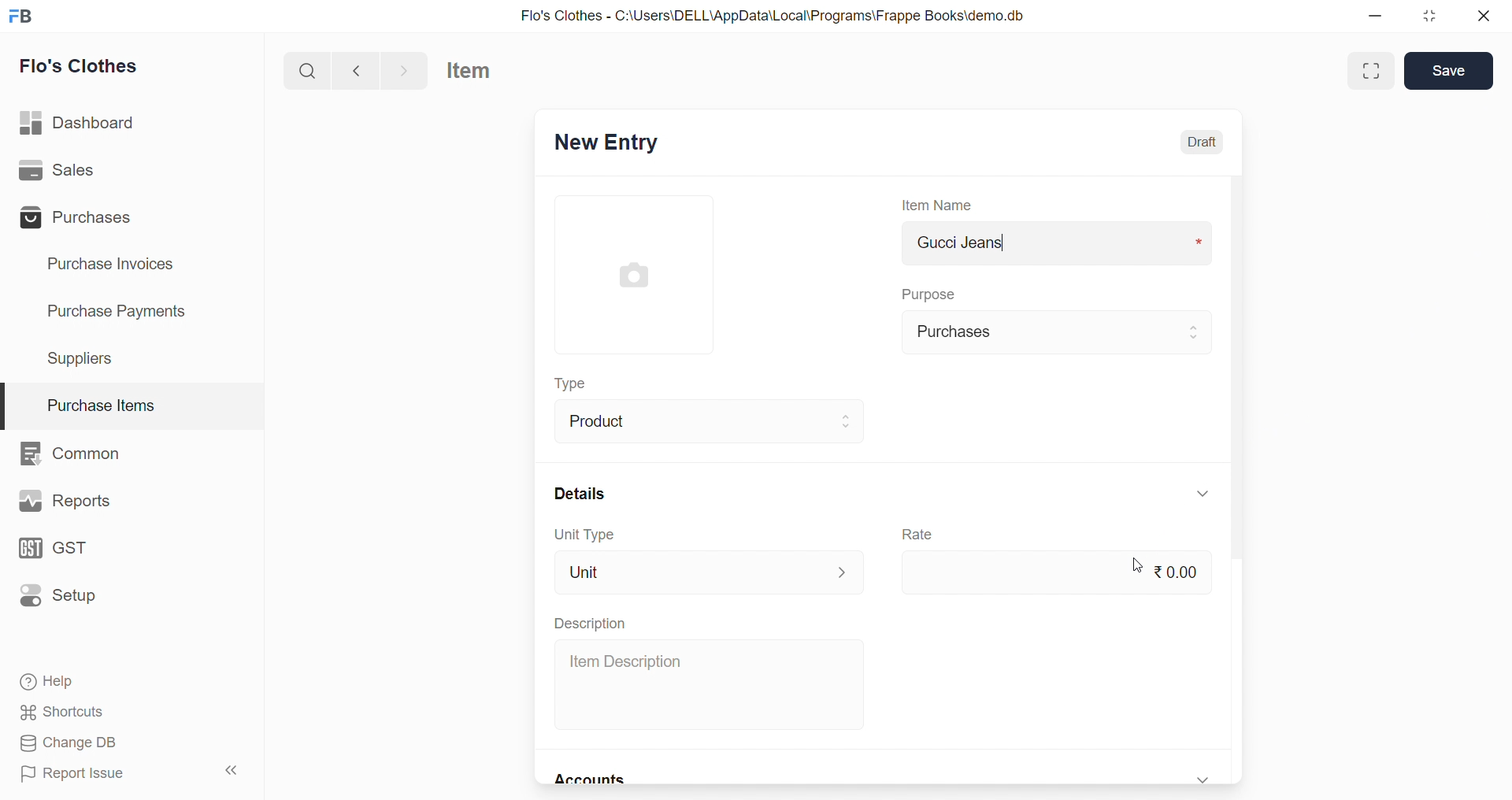  What do you see at coordinates (66, 501) in the screenshot?
I see `Reports` at bounding box center [66, 501].